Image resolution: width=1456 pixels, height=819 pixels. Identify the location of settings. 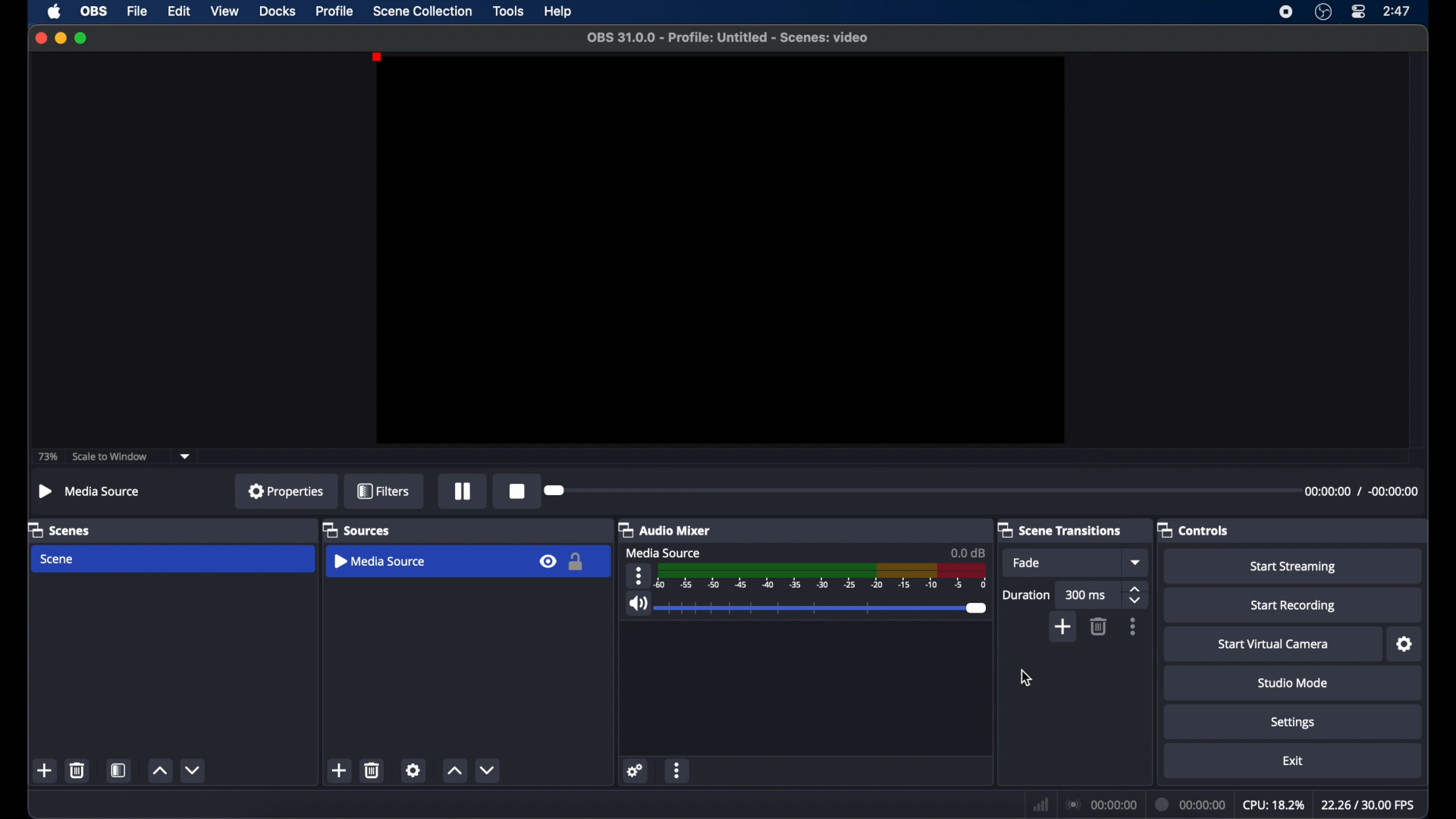
(1293, 723).